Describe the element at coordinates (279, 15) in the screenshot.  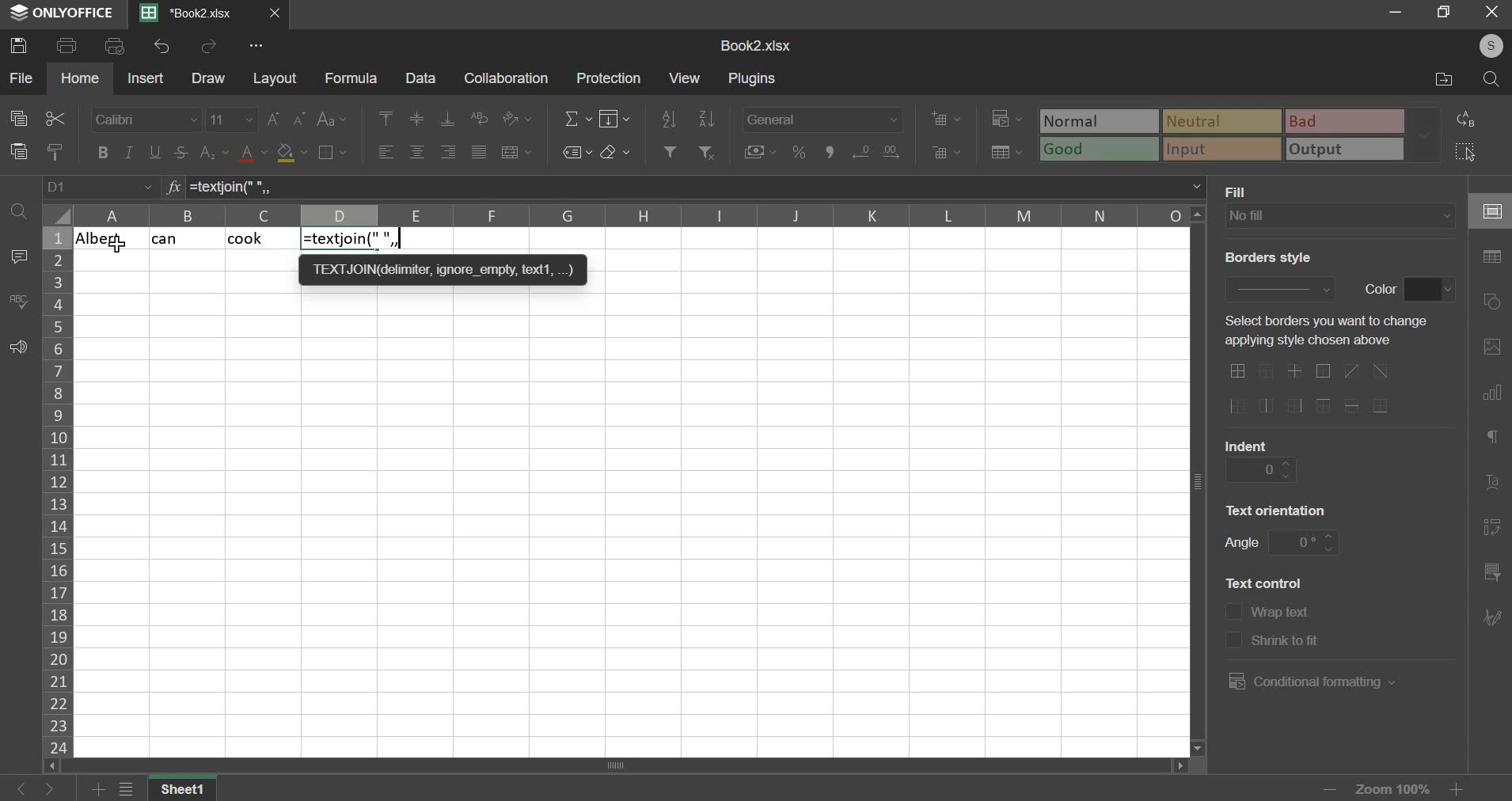
I see `close` at that location.